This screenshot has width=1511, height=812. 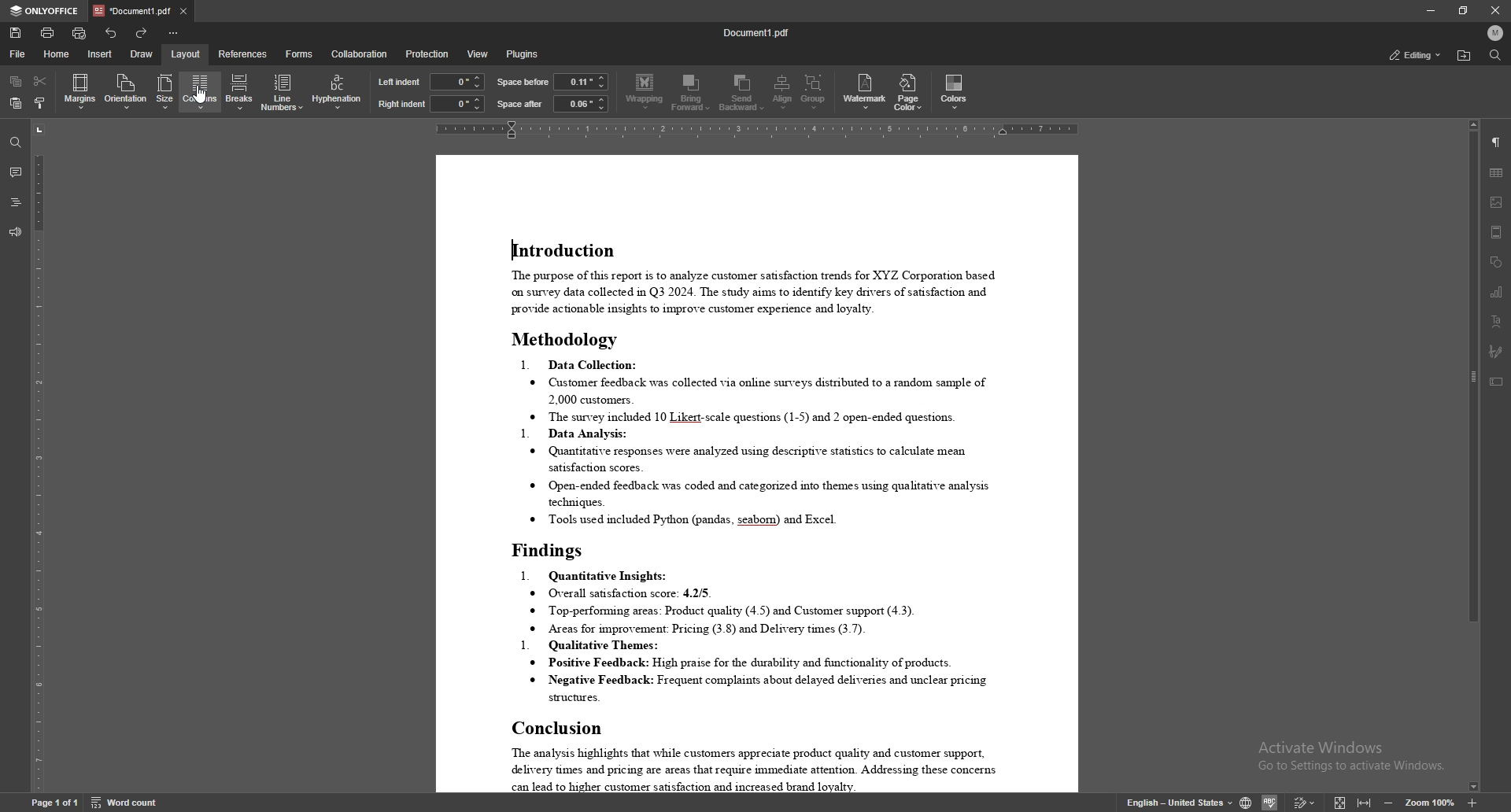 What do you see at coordinates (1464, 10) in the screenshot?
I see `resize` at bounding box center [1464, 10].